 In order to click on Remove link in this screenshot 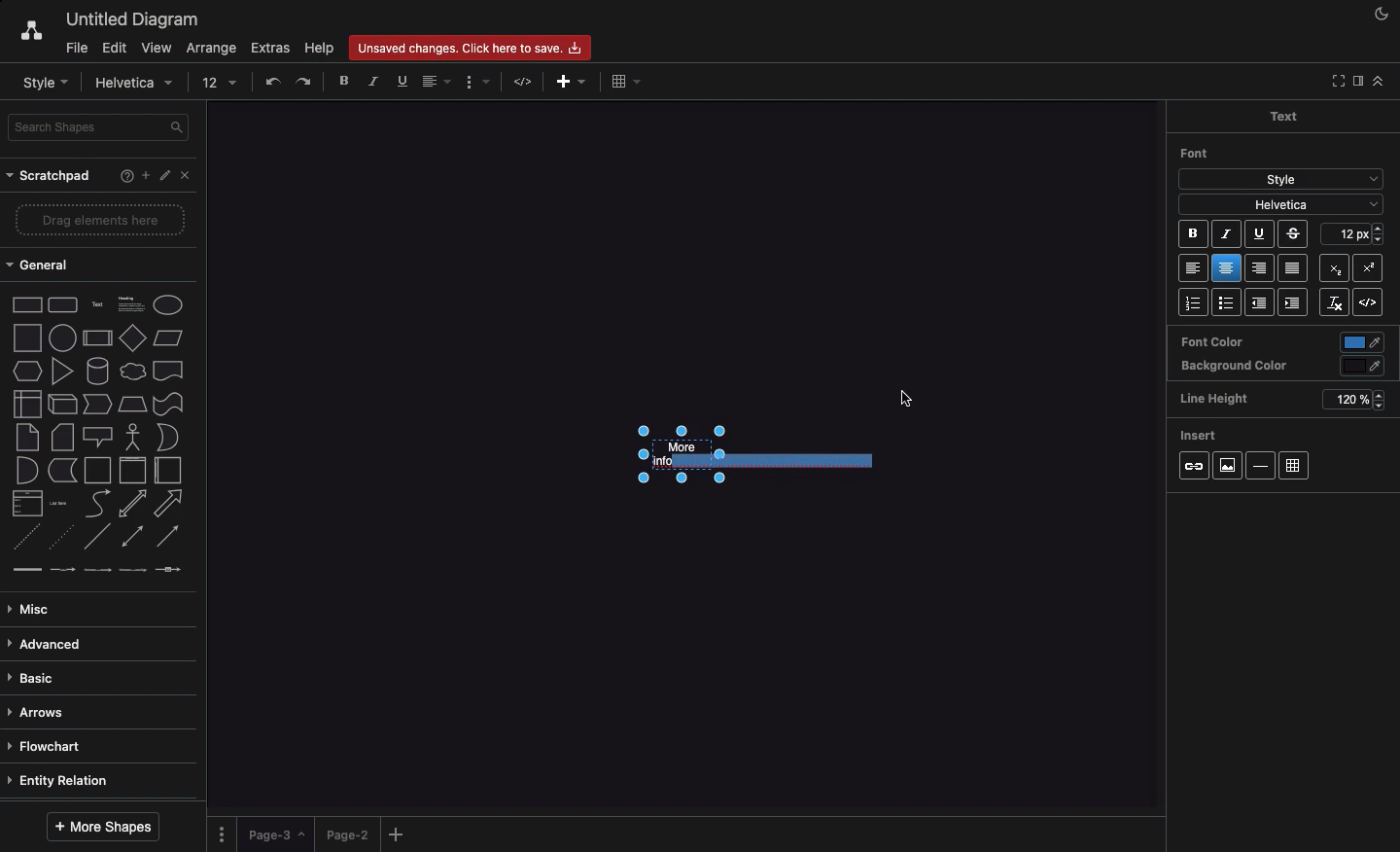, I will do `click(1334, 302)`.